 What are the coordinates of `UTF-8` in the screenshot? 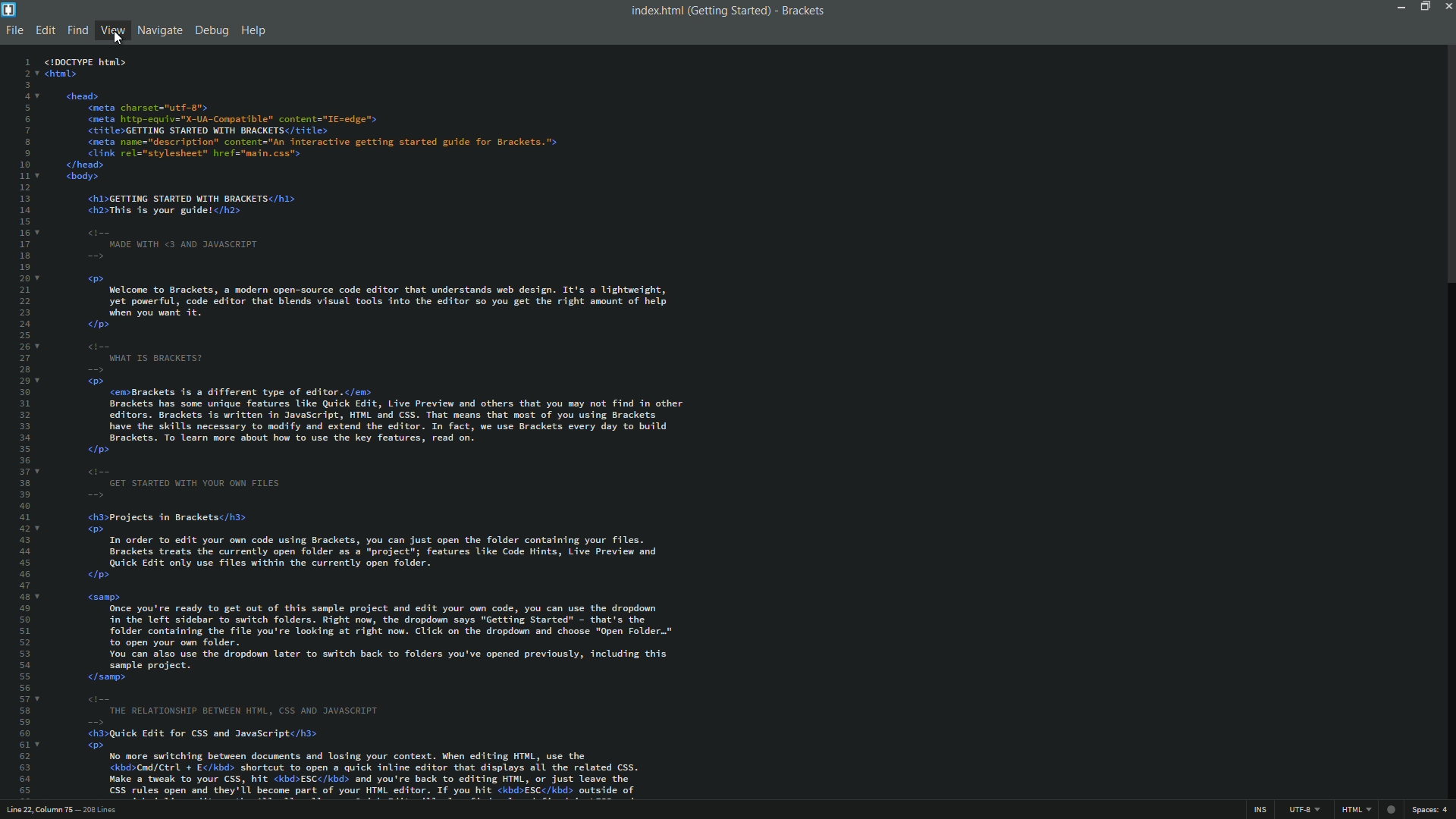 It's located at (1302, 810).